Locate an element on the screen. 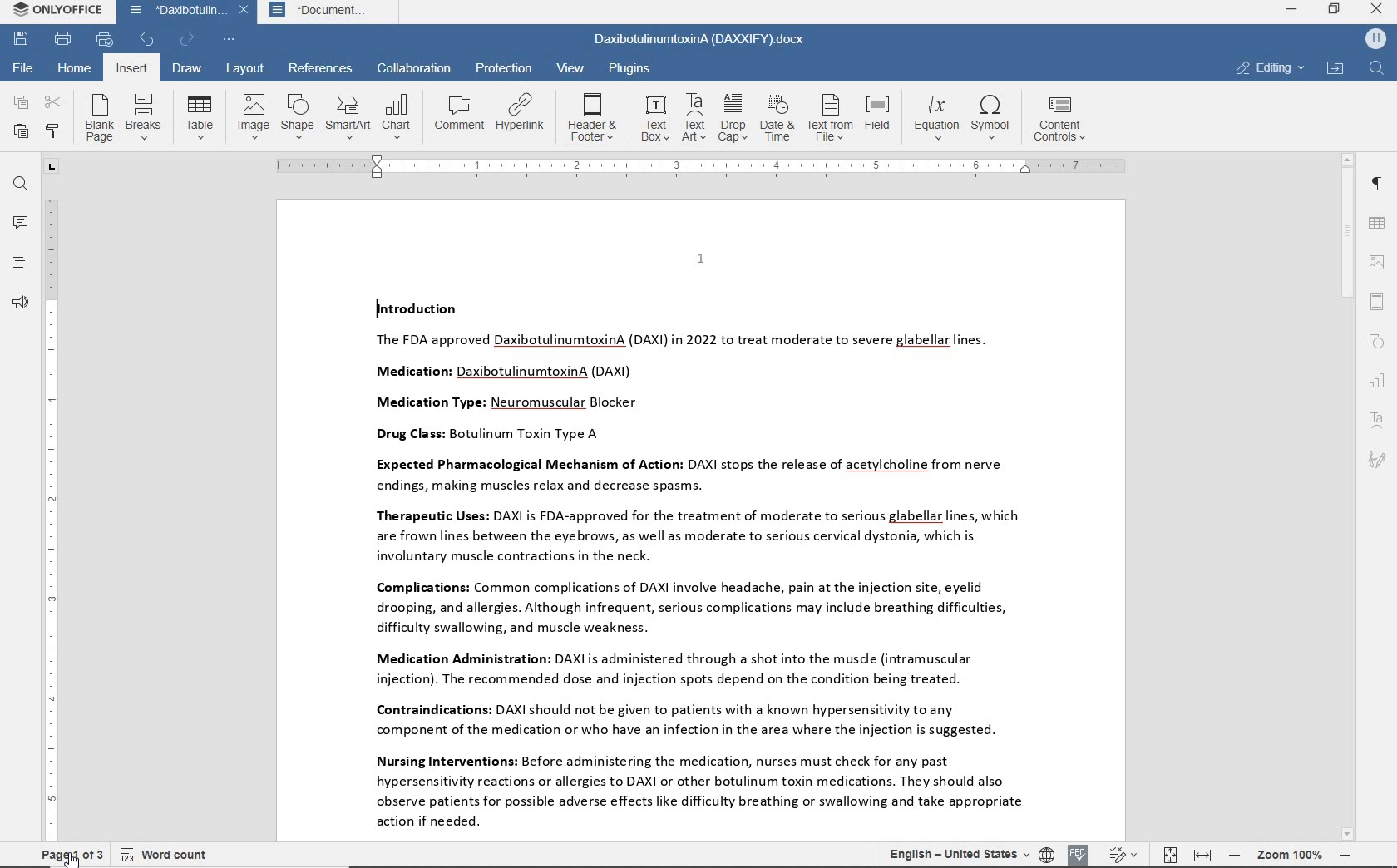  hyperlink is located at coordinates (521, 112).